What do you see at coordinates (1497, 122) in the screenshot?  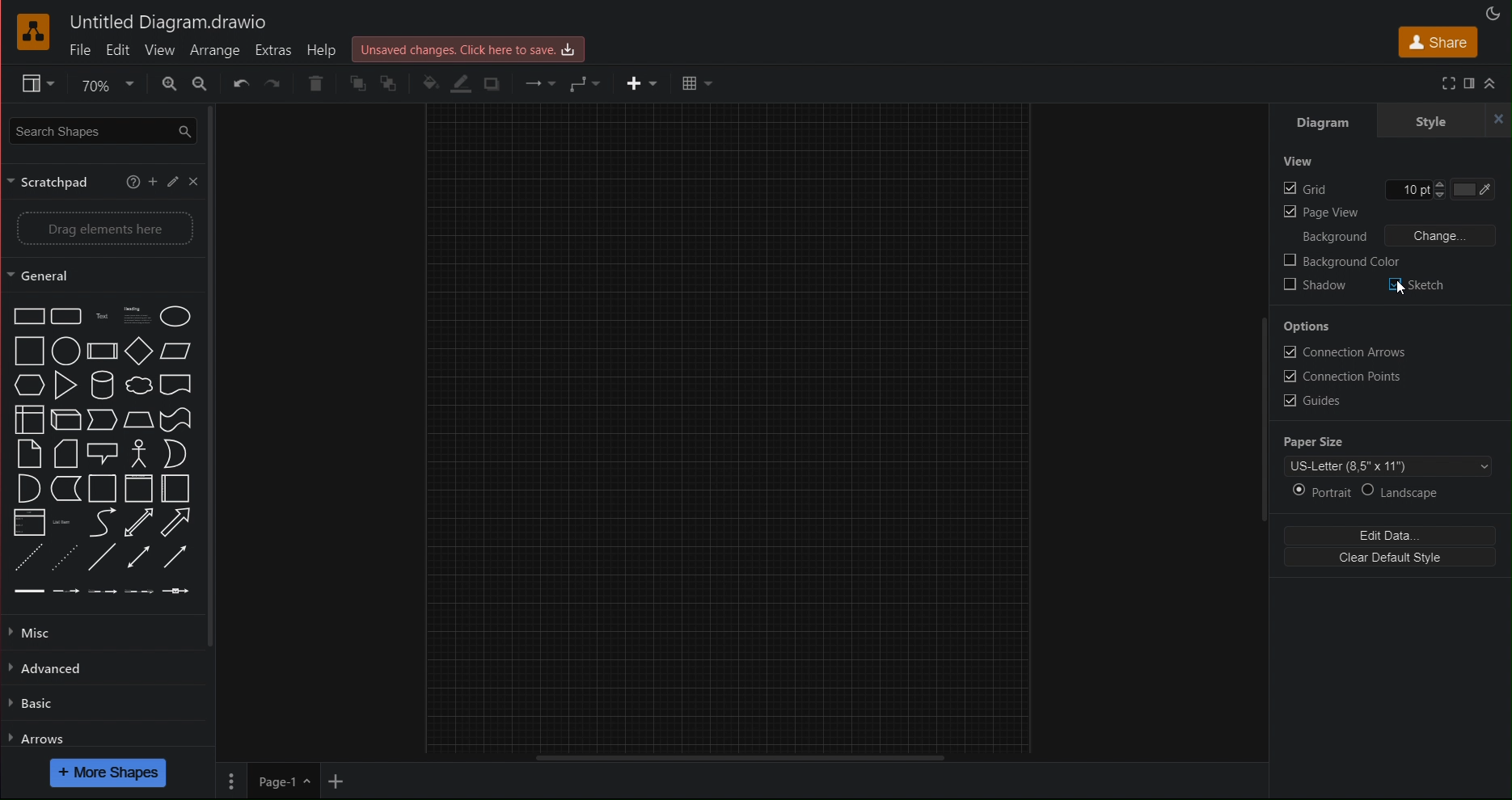 I see `close` at bounding box center [1497, 122].